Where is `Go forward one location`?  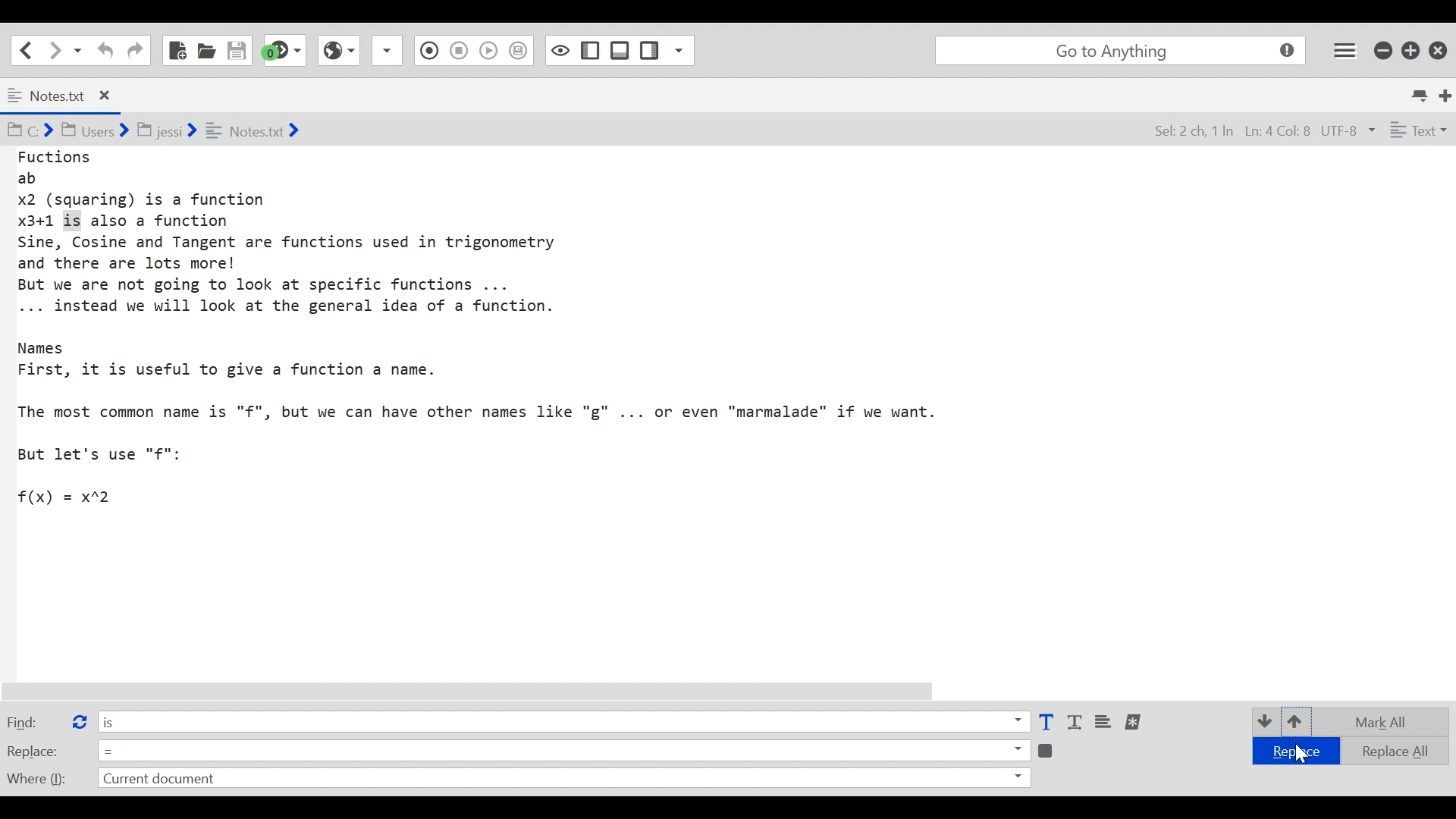
Go forward one location is located at coordinates (56, 49).